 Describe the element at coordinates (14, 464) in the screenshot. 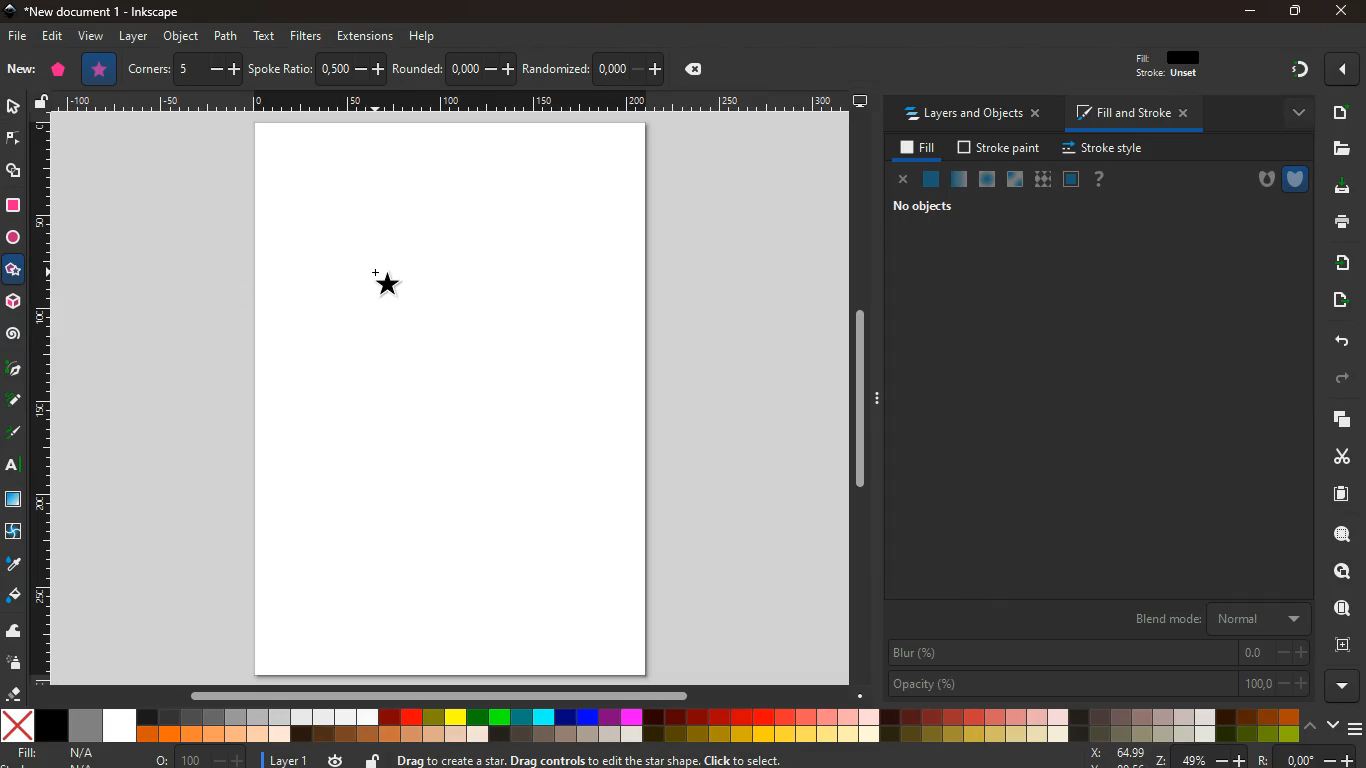

I see `text` at that location.